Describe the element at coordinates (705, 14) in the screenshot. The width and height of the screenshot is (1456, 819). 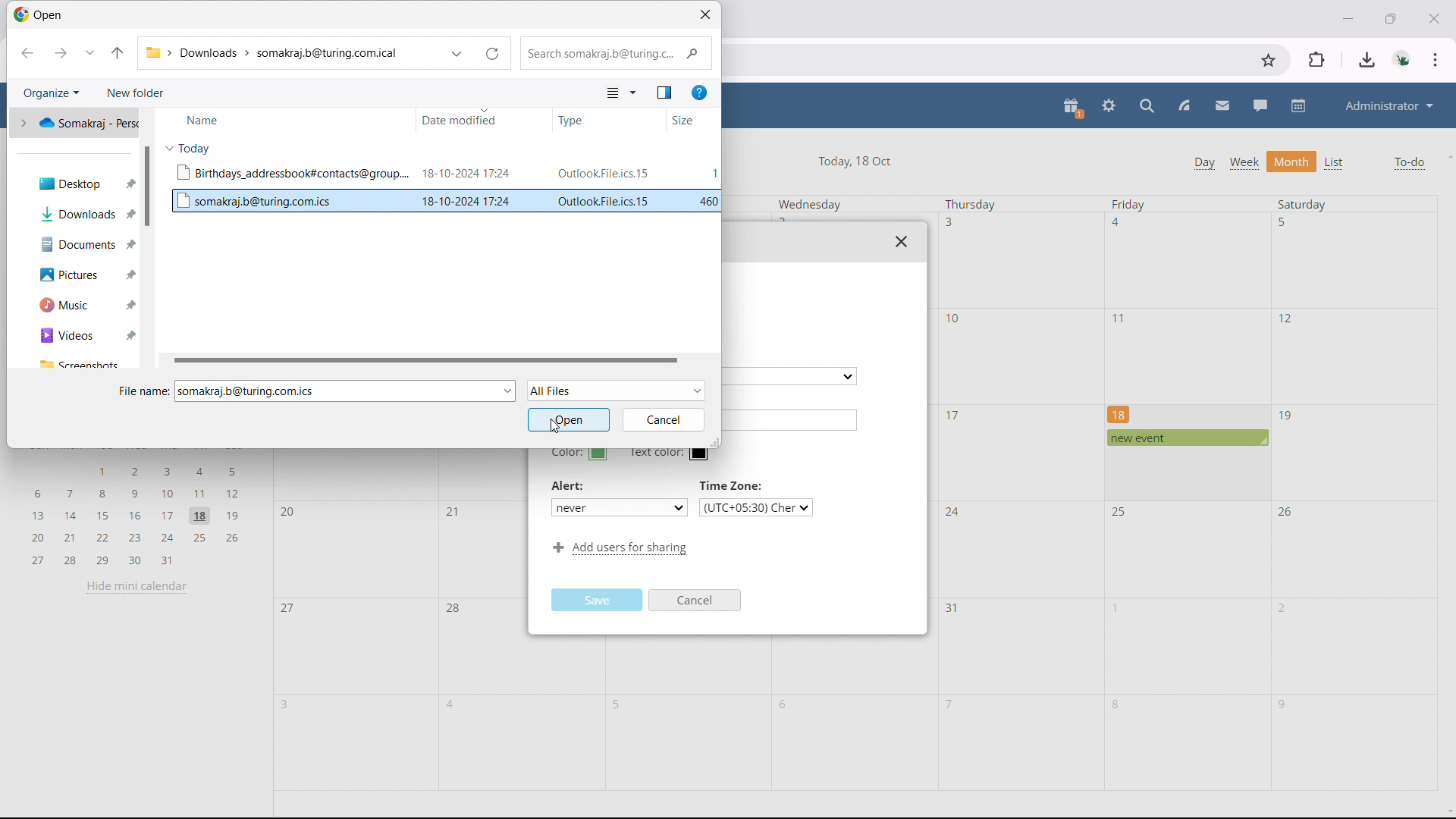
I see `close` at that location.